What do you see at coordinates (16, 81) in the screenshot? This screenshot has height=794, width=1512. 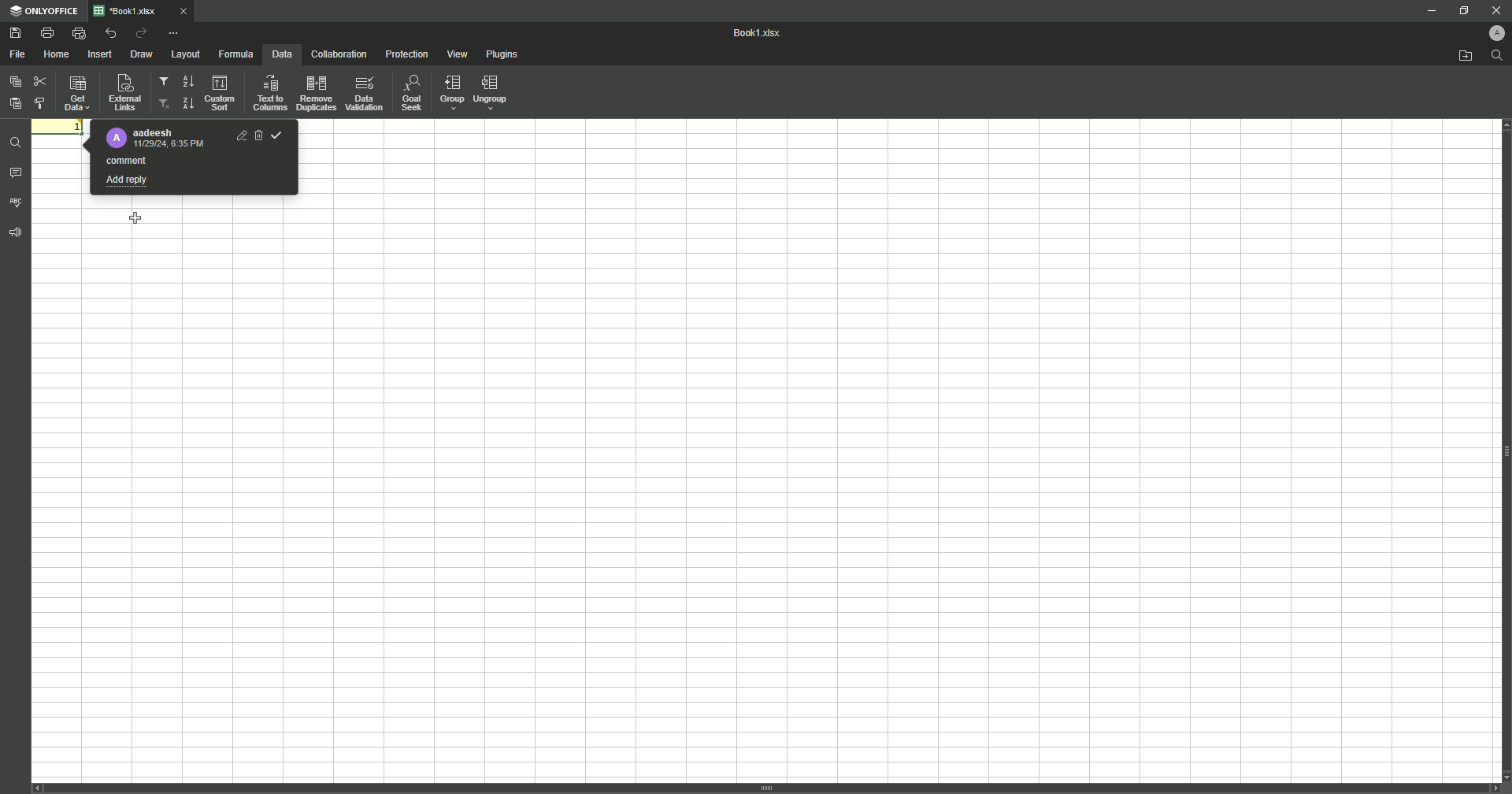 I see `Paste` at bounding box center [16, 81].